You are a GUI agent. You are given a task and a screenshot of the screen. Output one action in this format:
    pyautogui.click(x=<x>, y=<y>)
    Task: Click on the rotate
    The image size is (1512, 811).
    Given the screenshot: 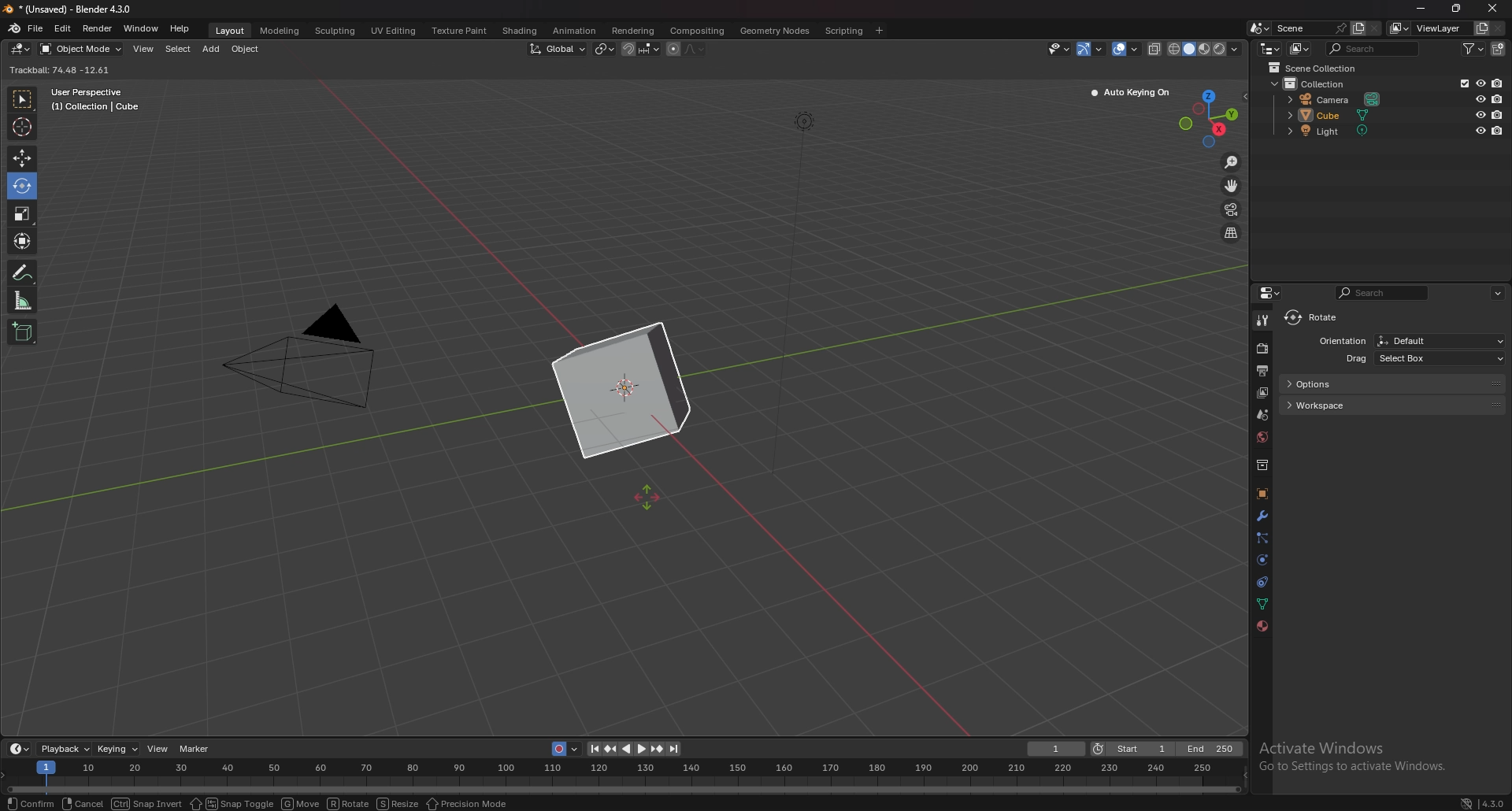 What is the action you would take?
    pyautogui.click(x=1316, y=318)
    